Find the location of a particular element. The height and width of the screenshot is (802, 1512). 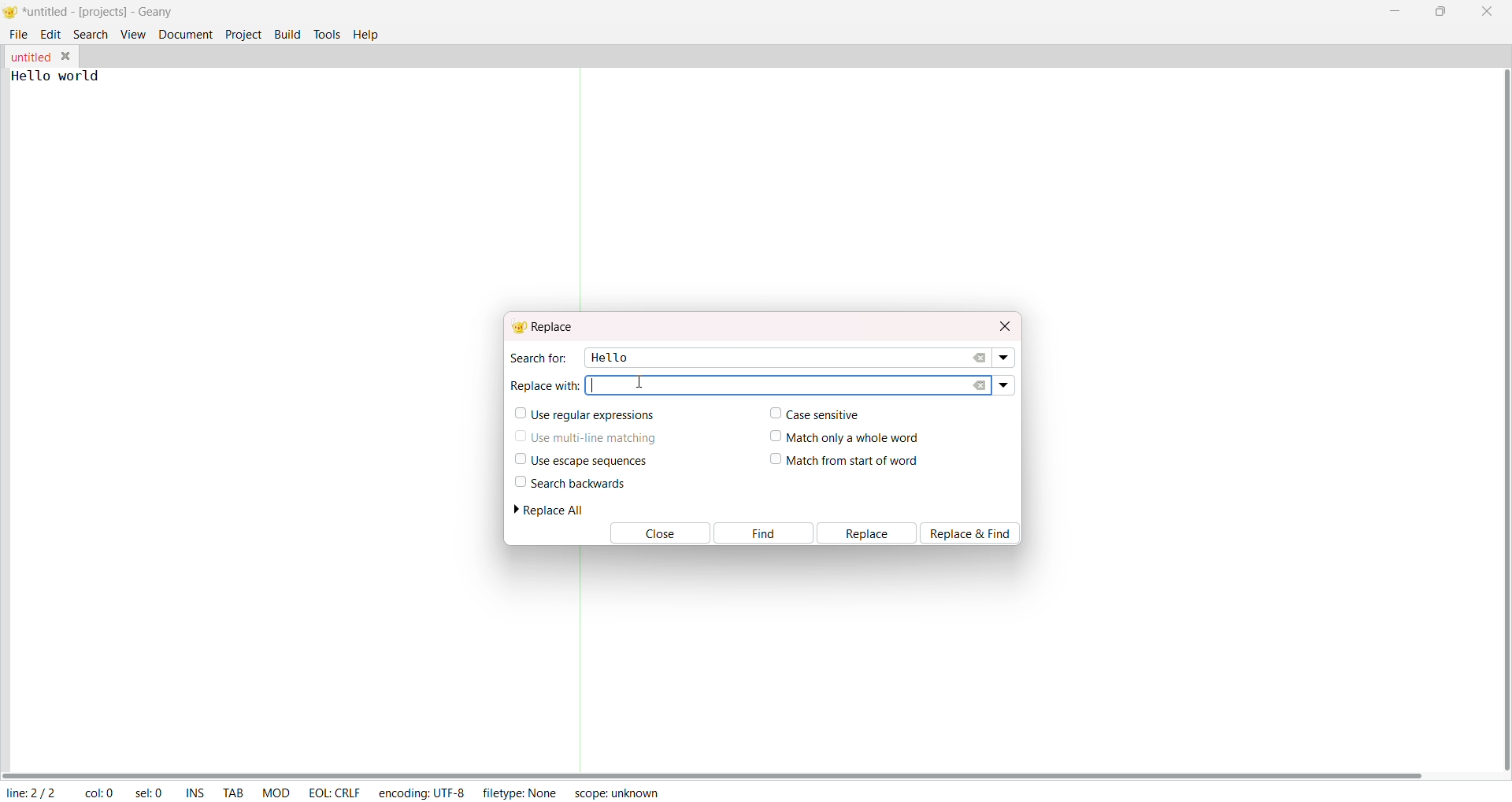

clear search is located at coordinates (980, 358).